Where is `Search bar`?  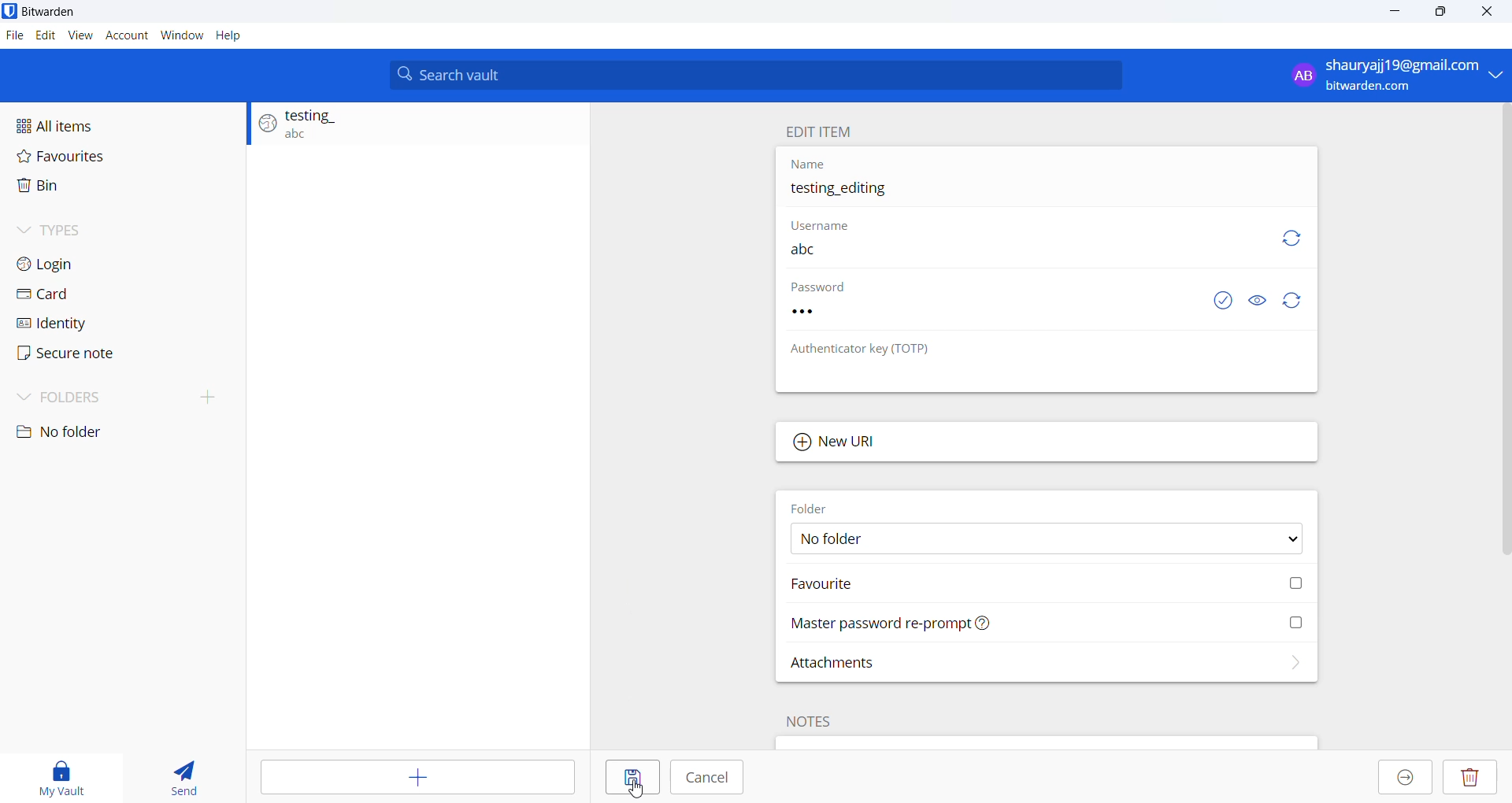
Search bar is located at coordinates (757, 76).